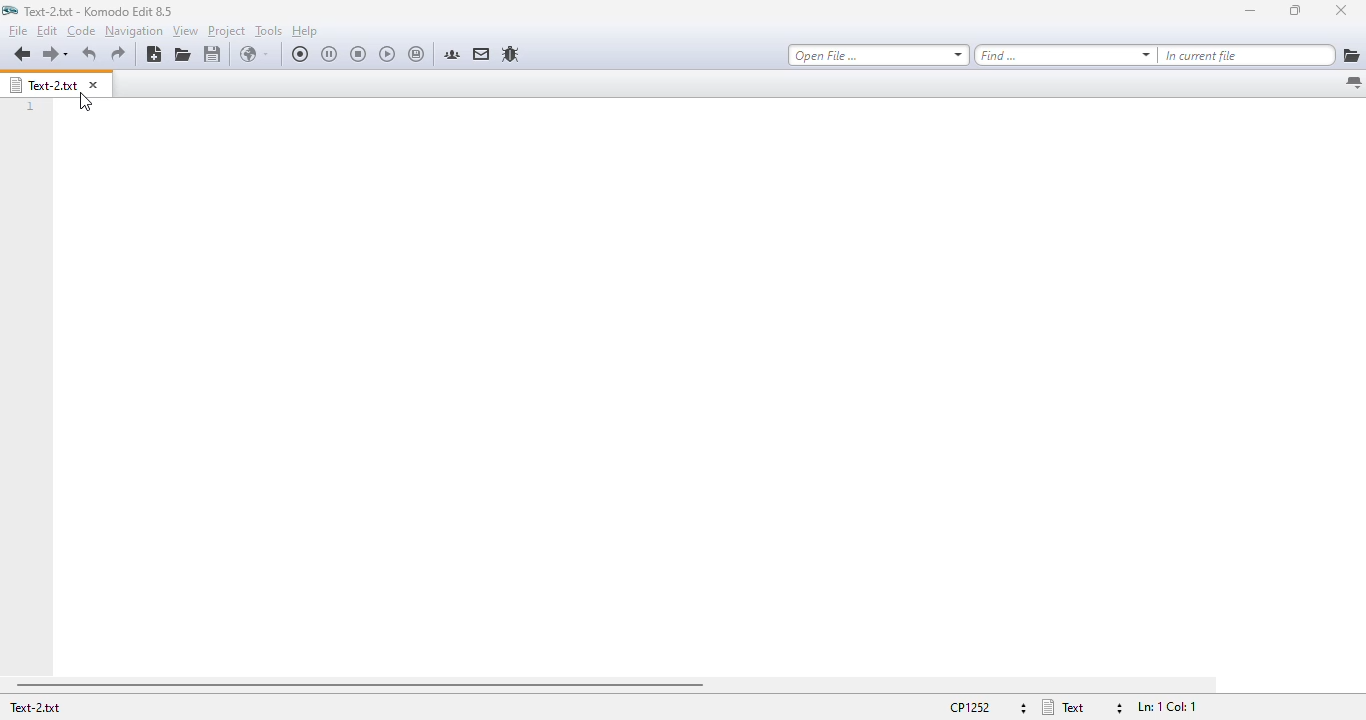 The image size is (1366, 720). What do you see at coordinates (23, 53) in the screenshot?
I see `go back one location` at bounding box center [23, 53].